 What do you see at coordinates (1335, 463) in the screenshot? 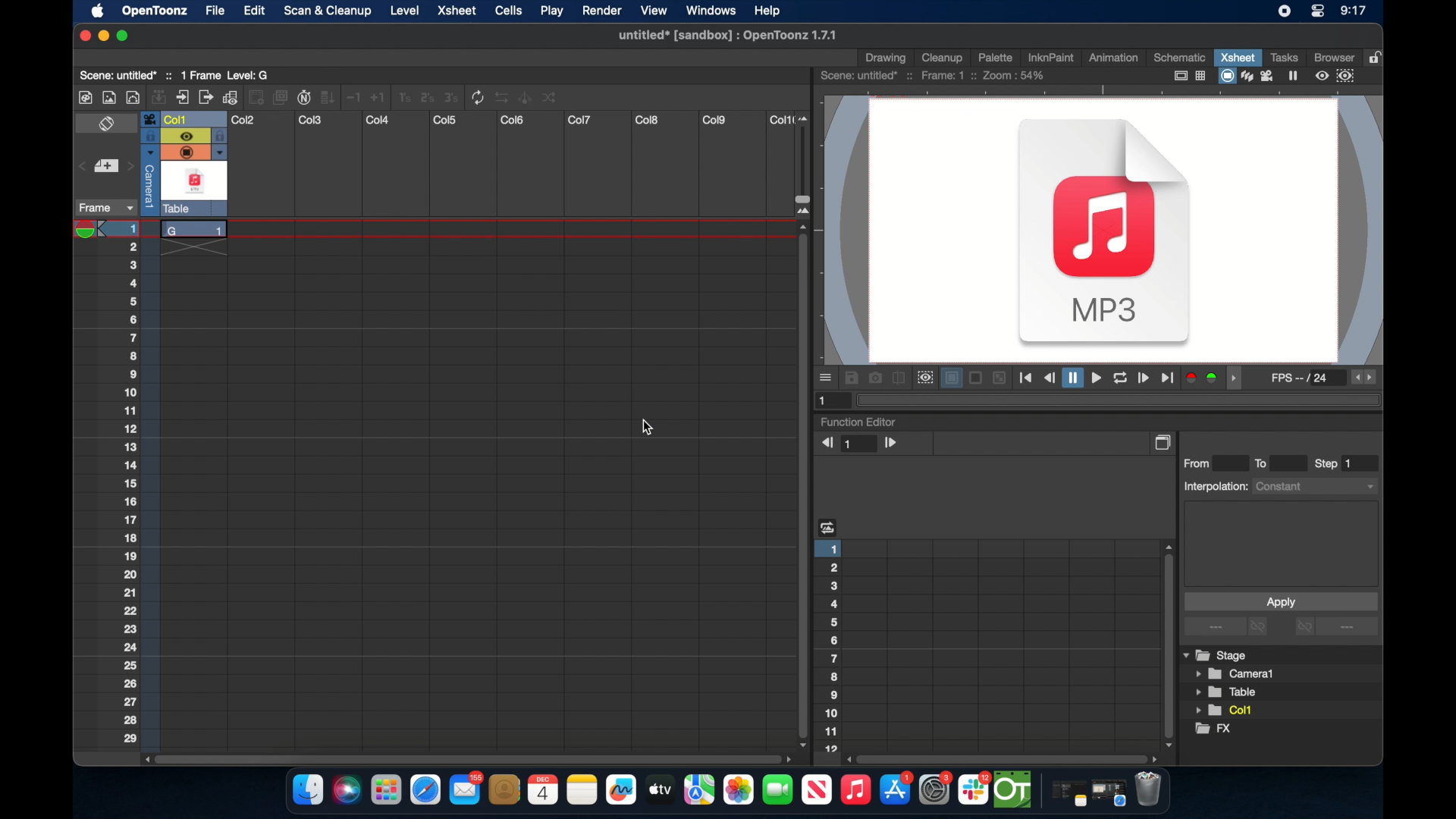
I see `step` at bounding box center [1335, 463].